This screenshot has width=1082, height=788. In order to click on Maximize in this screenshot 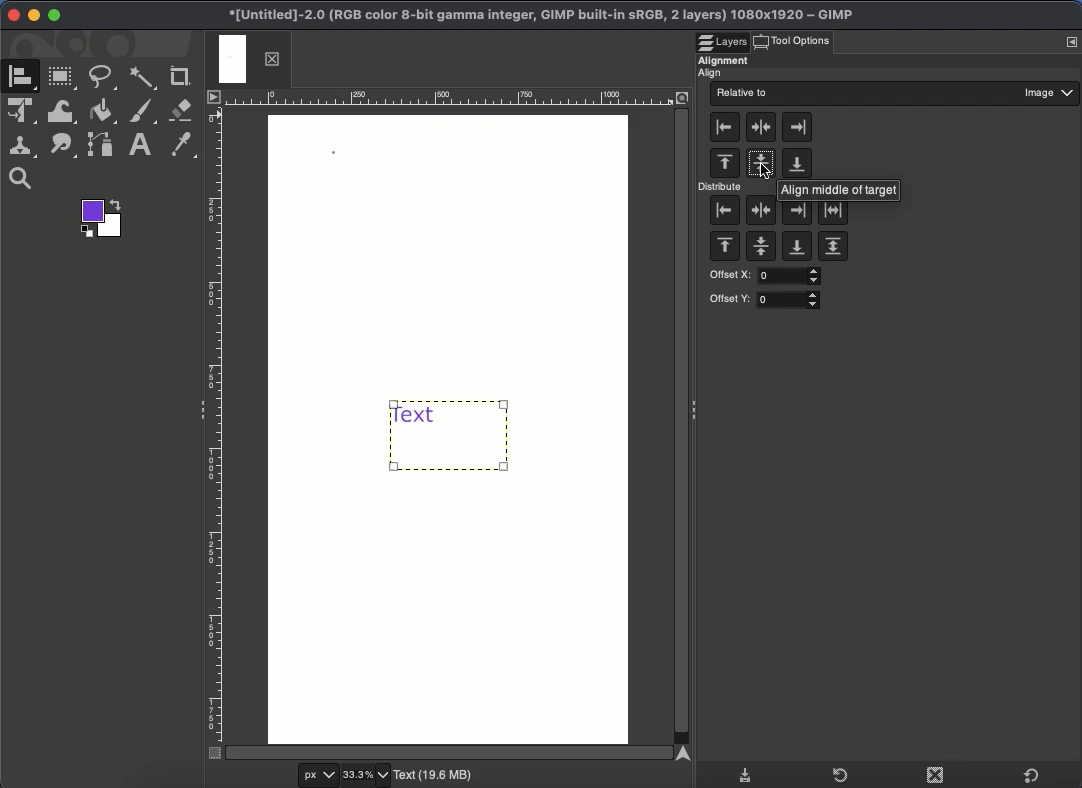, I will do `click(54, 16)`.